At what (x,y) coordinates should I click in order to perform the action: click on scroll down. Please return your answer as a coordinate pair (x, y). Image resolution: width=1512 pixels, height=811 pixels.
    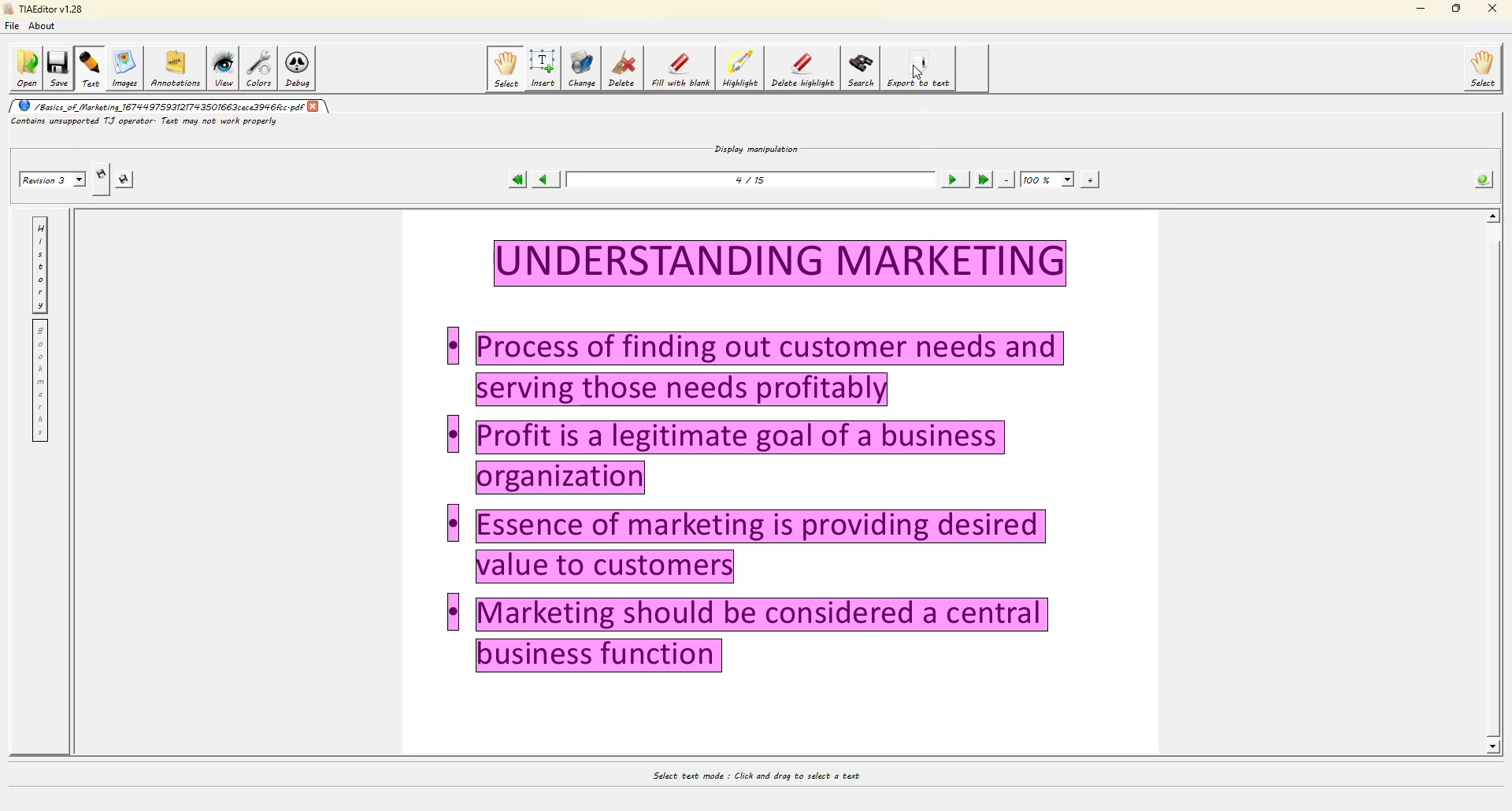
    Looking at the image, I should click on (1490, 748).